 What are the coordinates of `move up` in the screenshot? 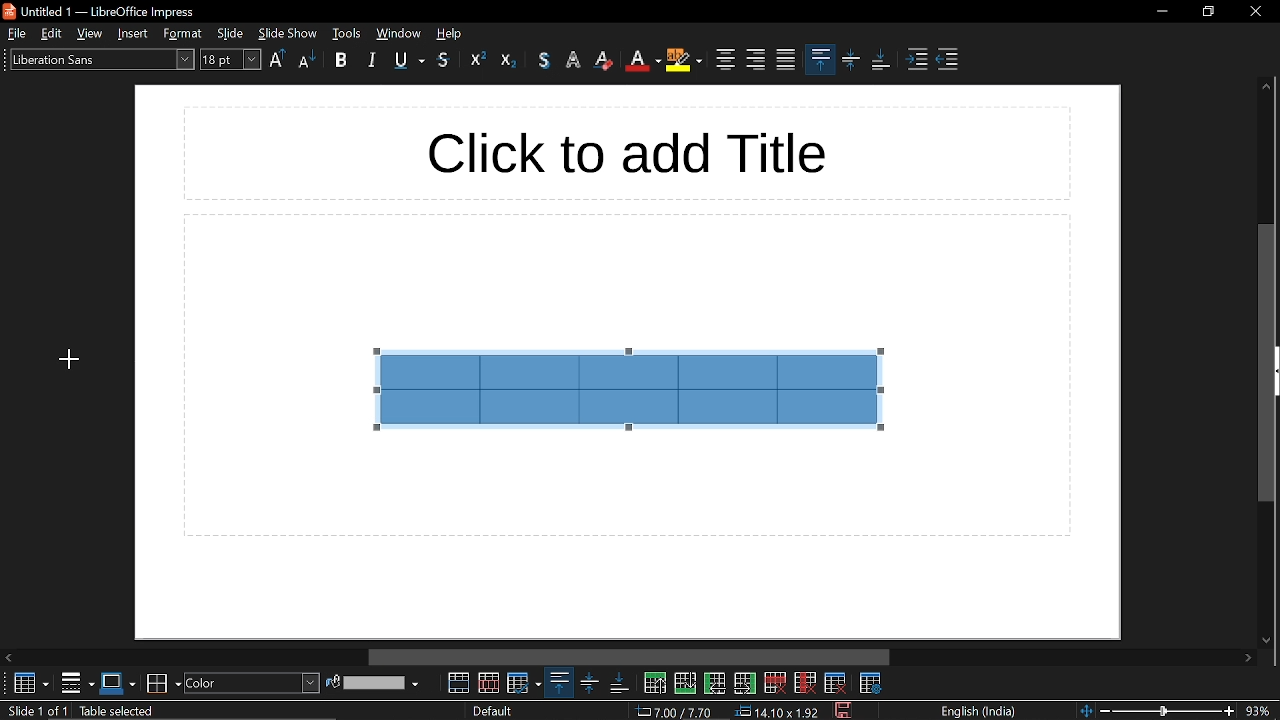 It's located at (1266, 86).